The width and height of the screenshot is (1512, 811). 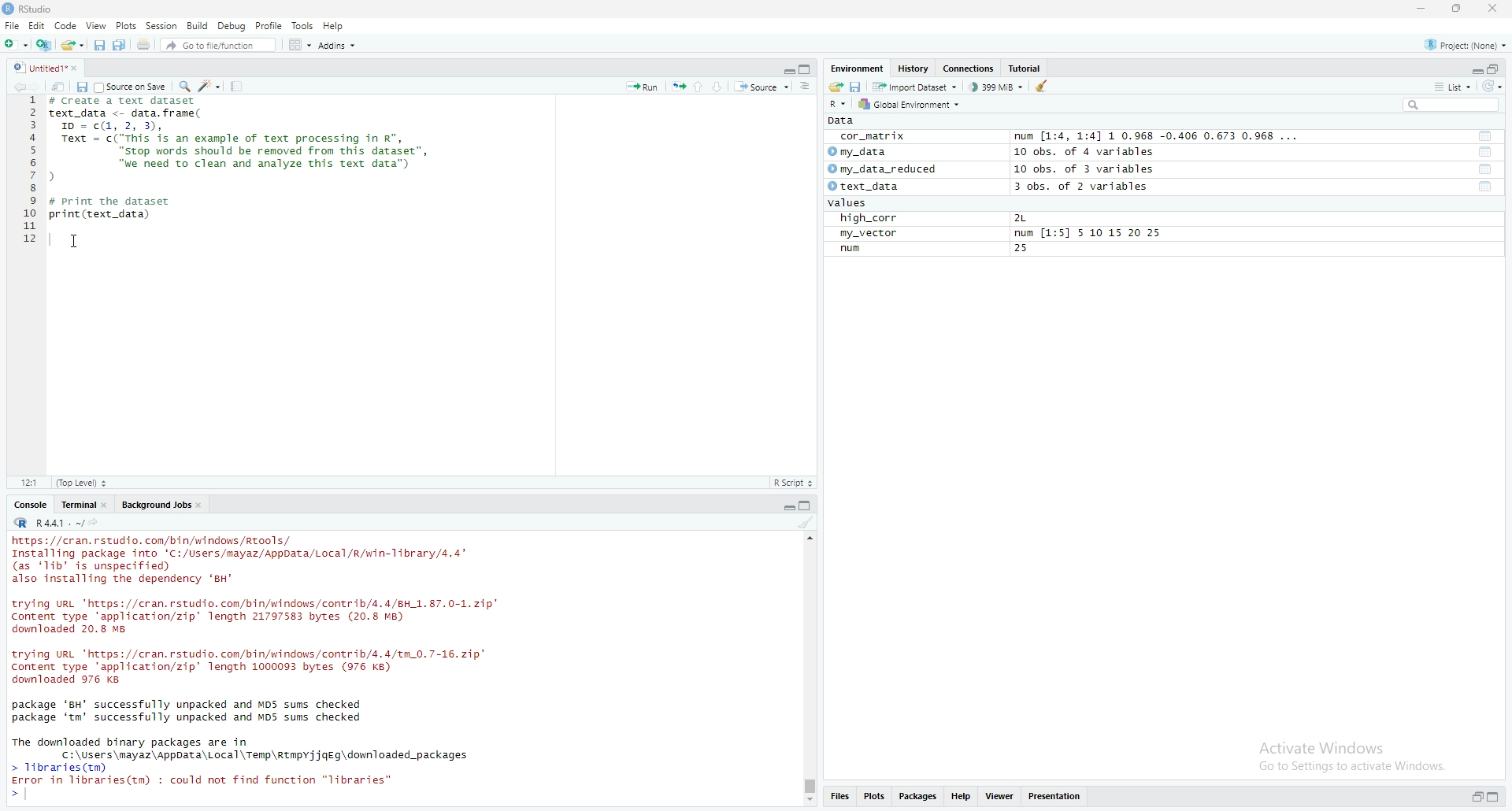 I want to click on close, so click(x=1492, y=9).